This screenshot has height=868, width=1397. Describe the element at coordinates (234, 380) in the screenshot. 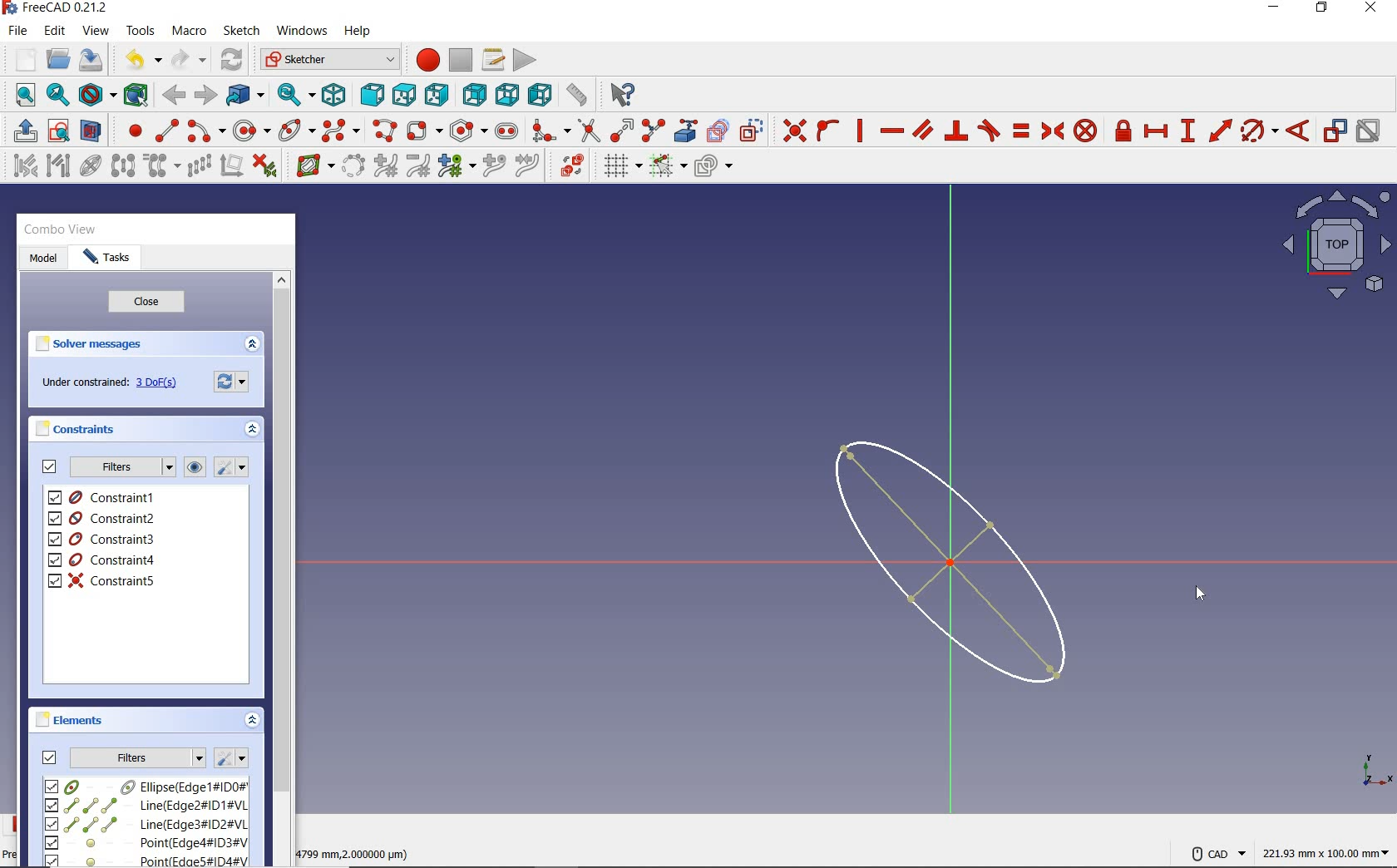

I see `settings` at that location.